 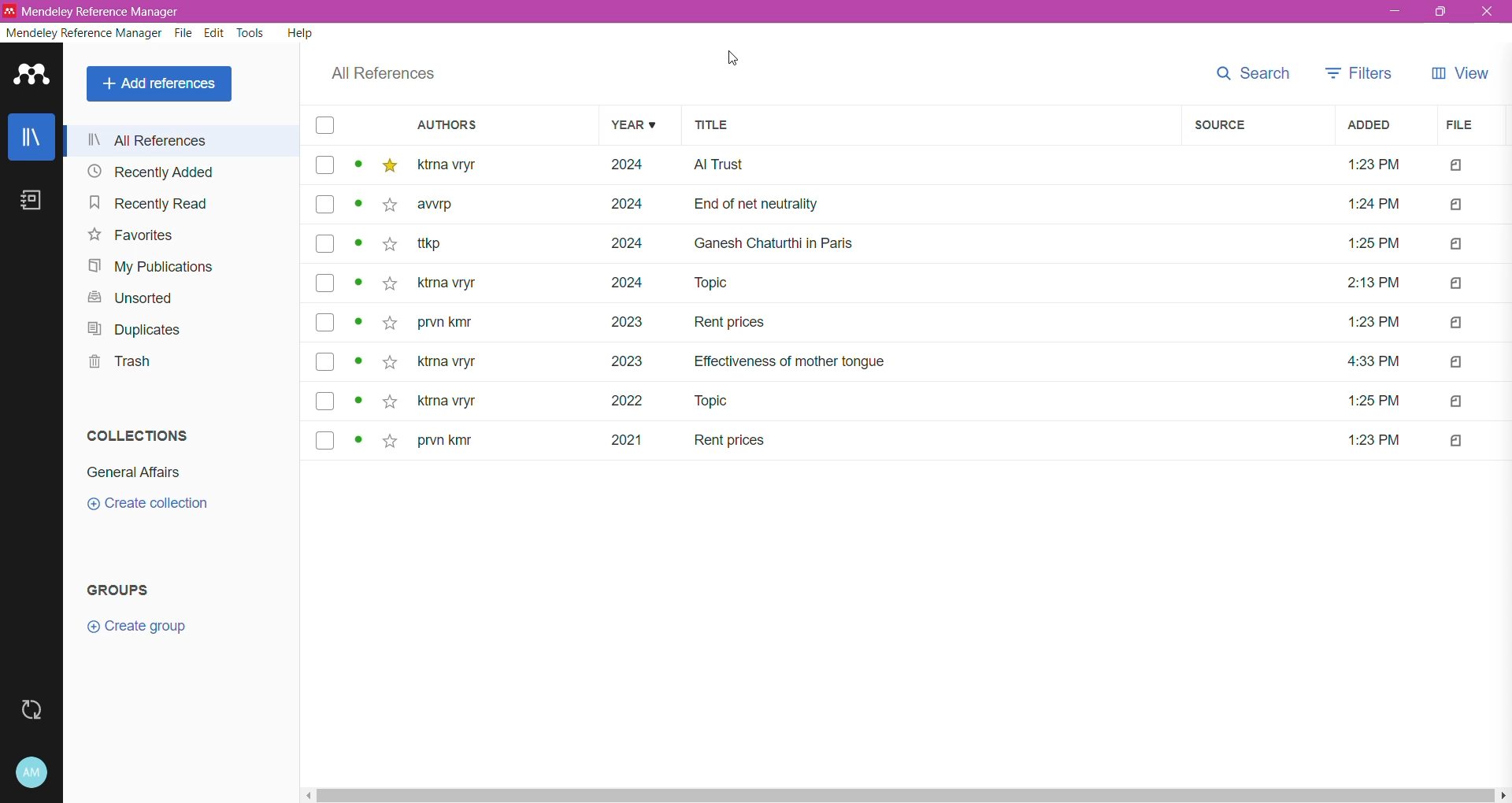 I want to click on Duplicates, so click(x=134, y=330).